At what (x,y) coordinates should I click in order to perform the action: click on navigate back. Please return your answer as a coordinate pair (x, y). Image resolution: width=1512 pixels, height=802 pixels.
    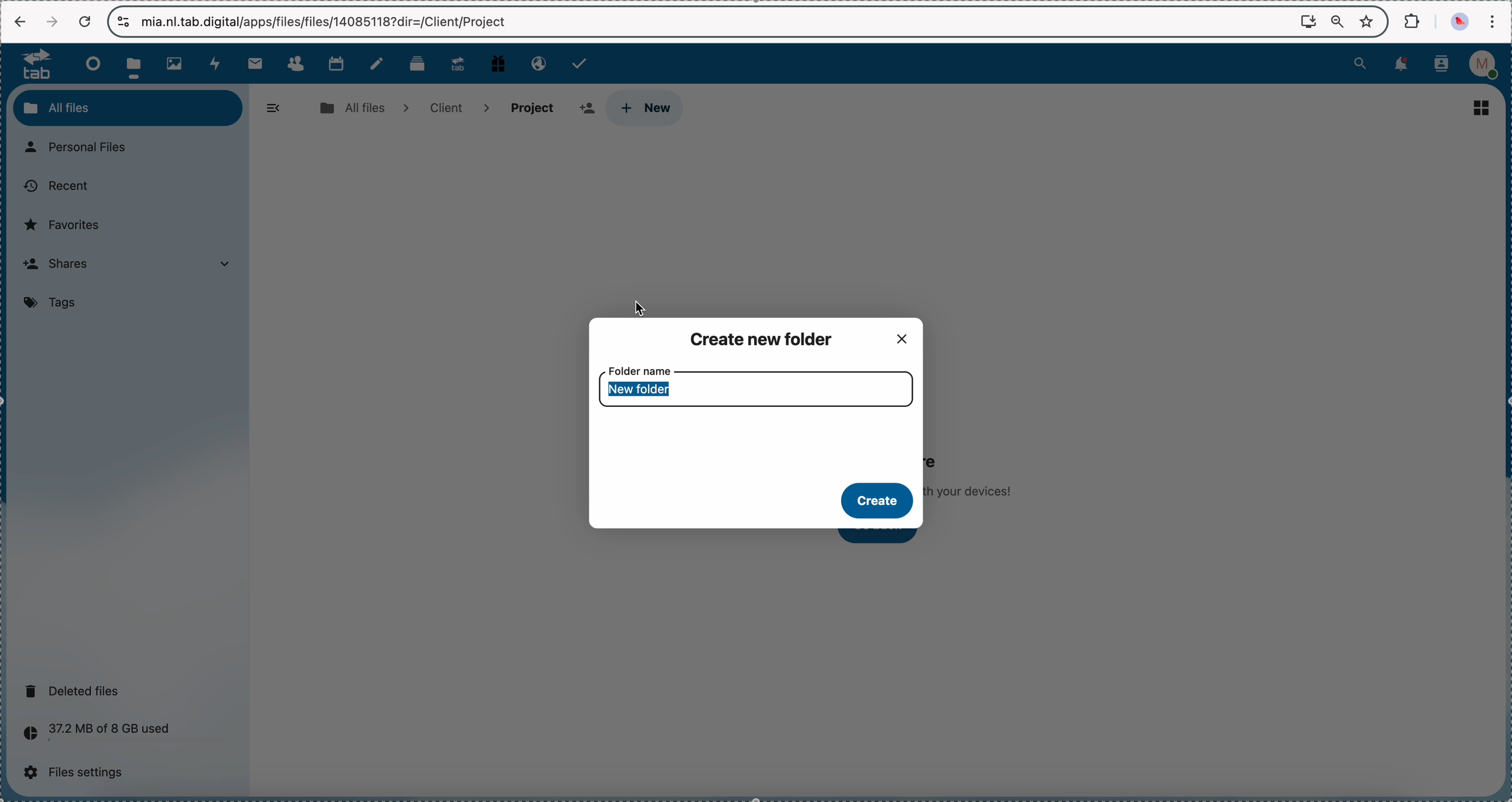
    Looking at the image, I should click on (21, 23).